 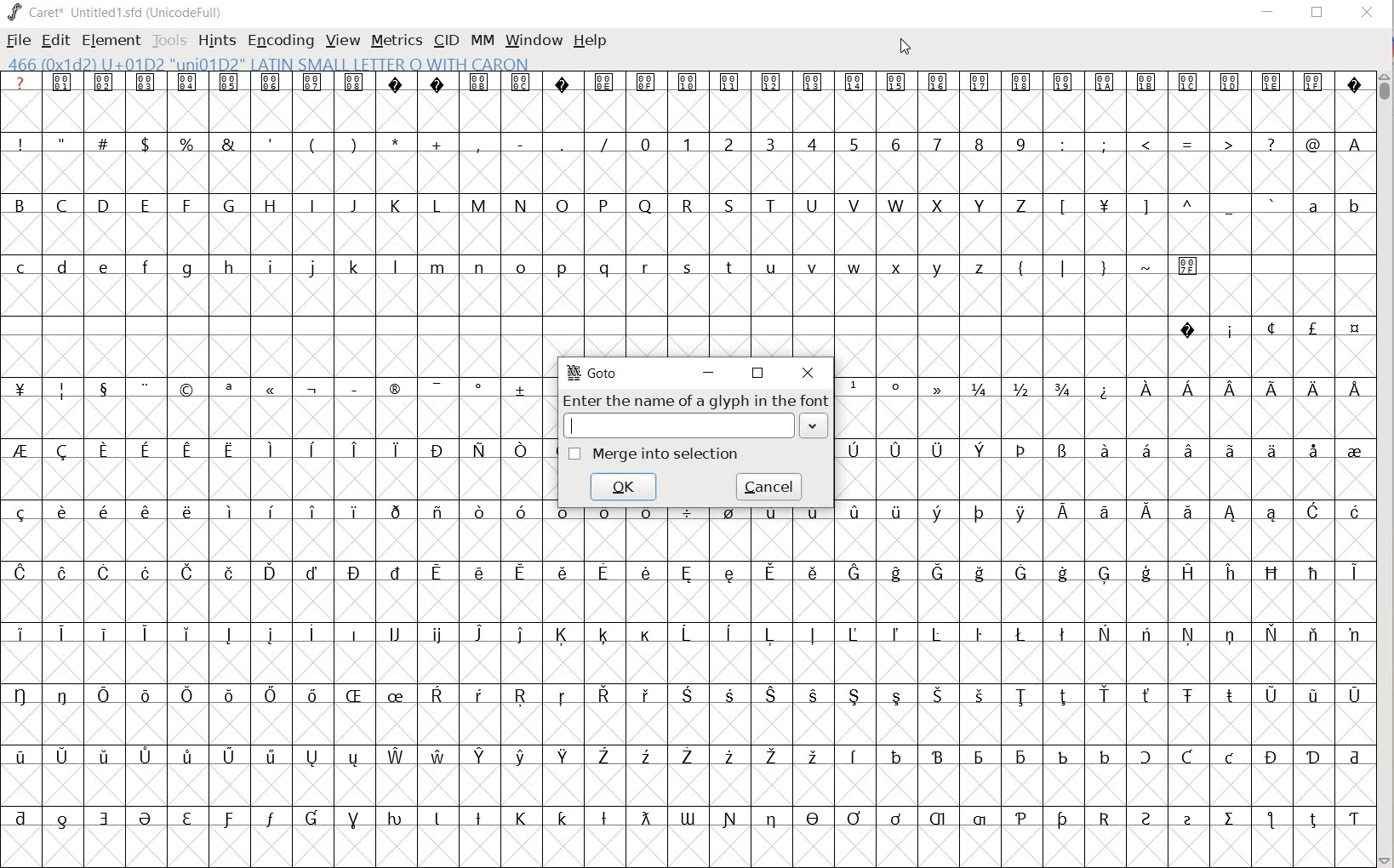 I want to click on ok, so click(x=625, y=488).